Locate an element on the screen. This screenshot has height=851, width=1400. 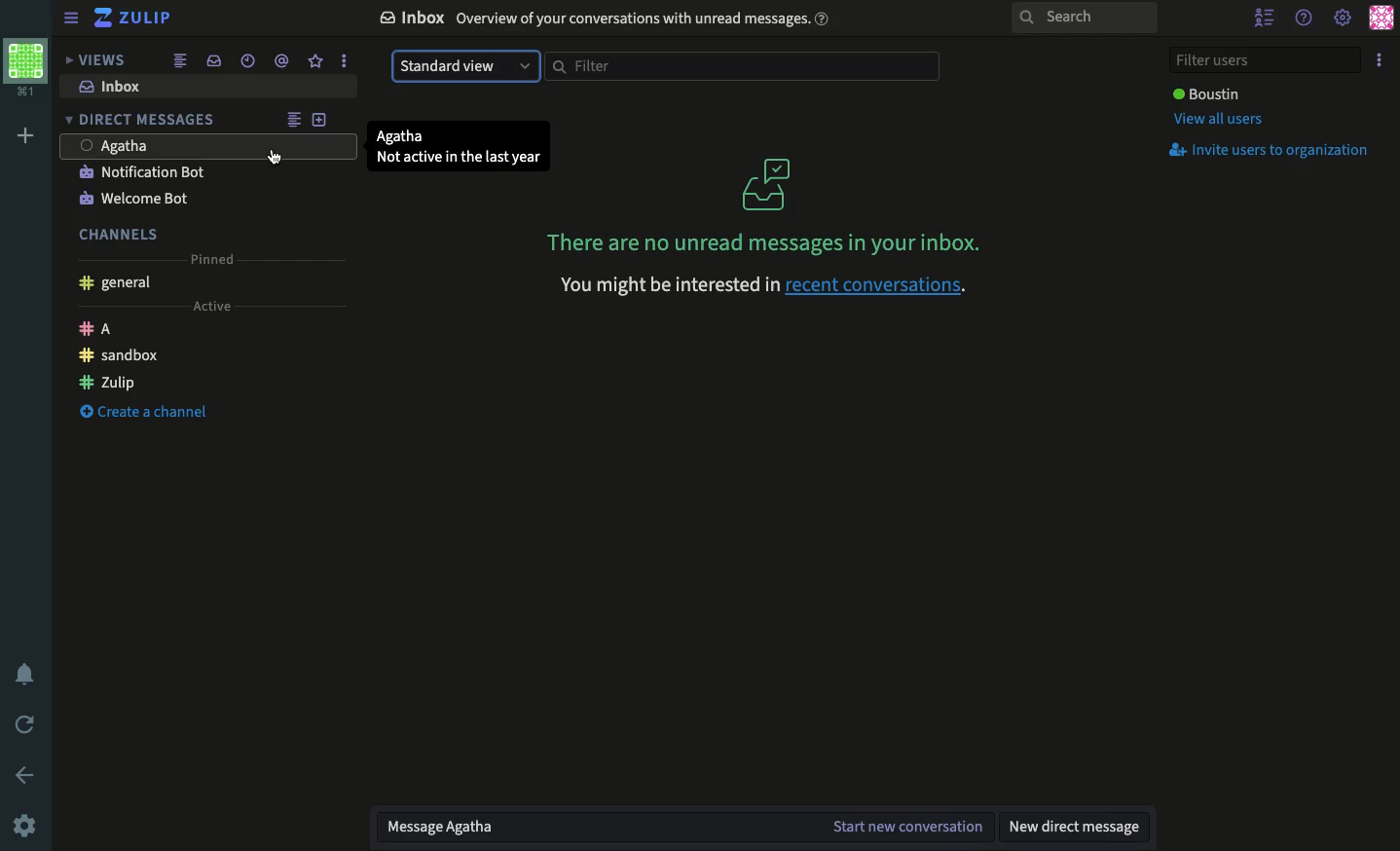
Sandbox is located at coordinates (116, 355).